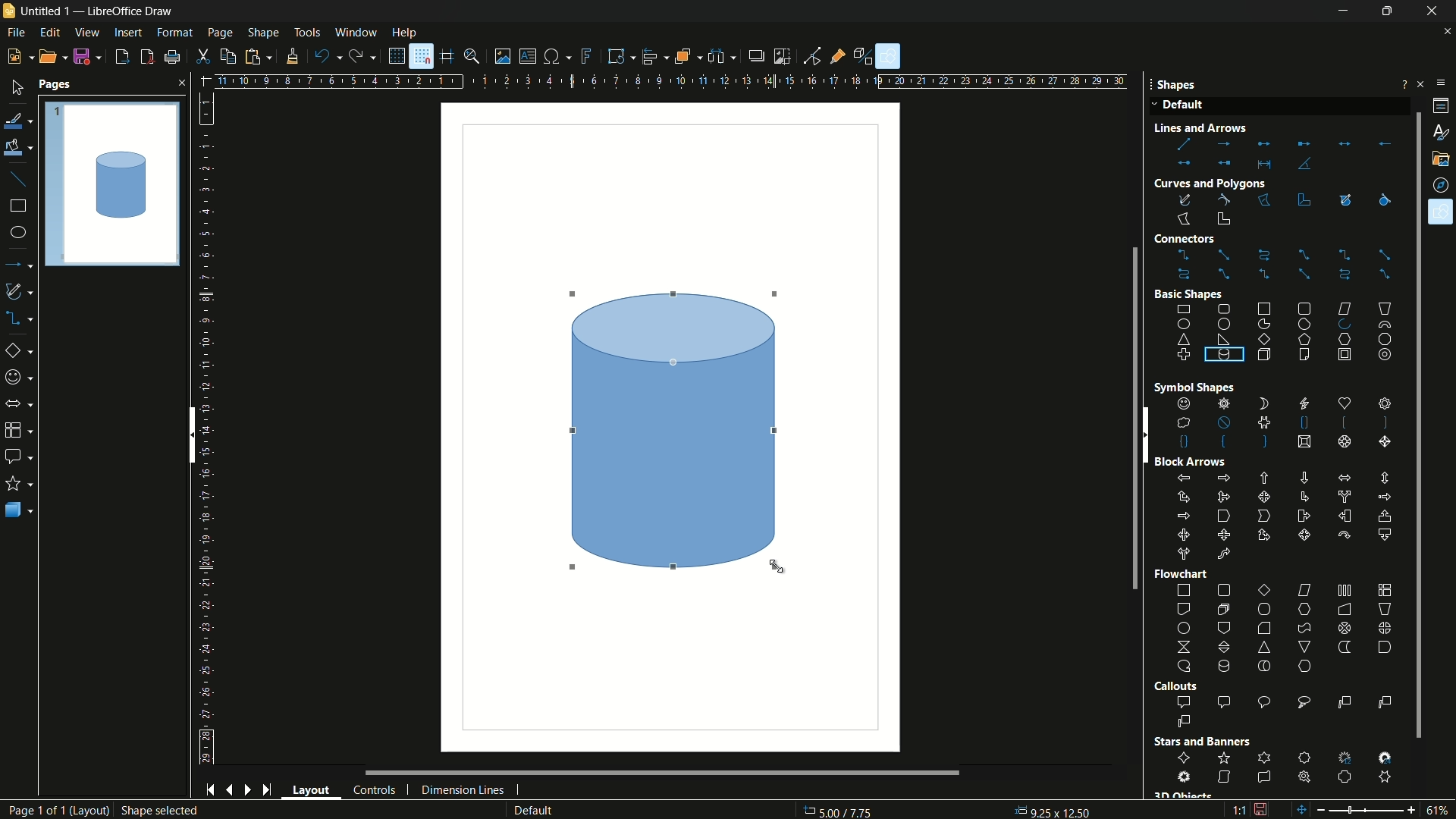  What do you see at coordinates (221, 33) in the screenshot?
I see `page menu` at bounding box center [221, 33].